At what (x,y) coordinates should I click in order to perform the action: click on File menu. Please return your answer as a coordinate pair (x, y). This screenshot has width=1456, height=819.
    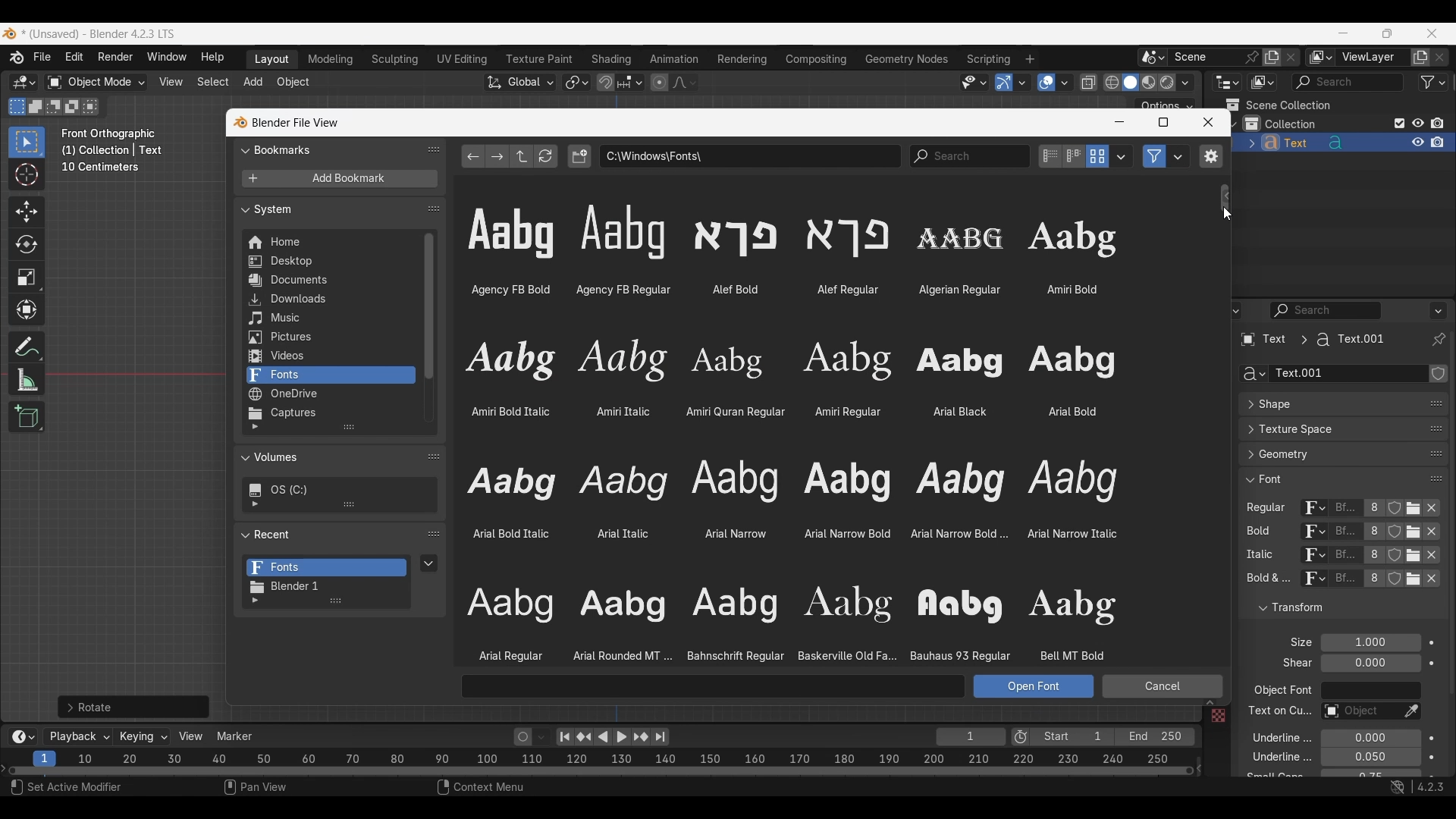
    Looking at the image, I should click on (43, 58).